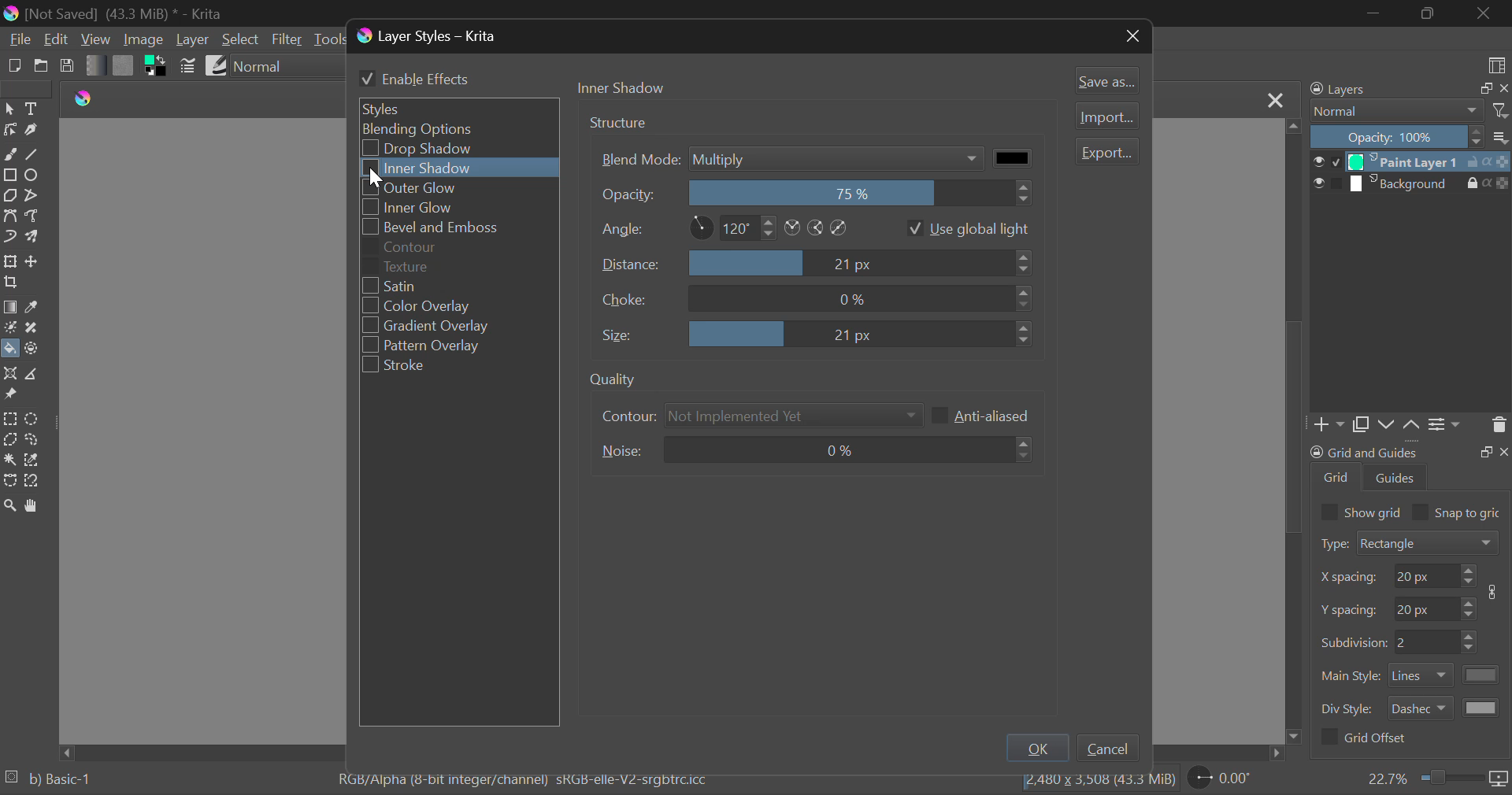 The width and height of the screenshot is (1512, 795). Describe the element at coordinates (32, 152) in the screenshot. I see `Line` at that location.